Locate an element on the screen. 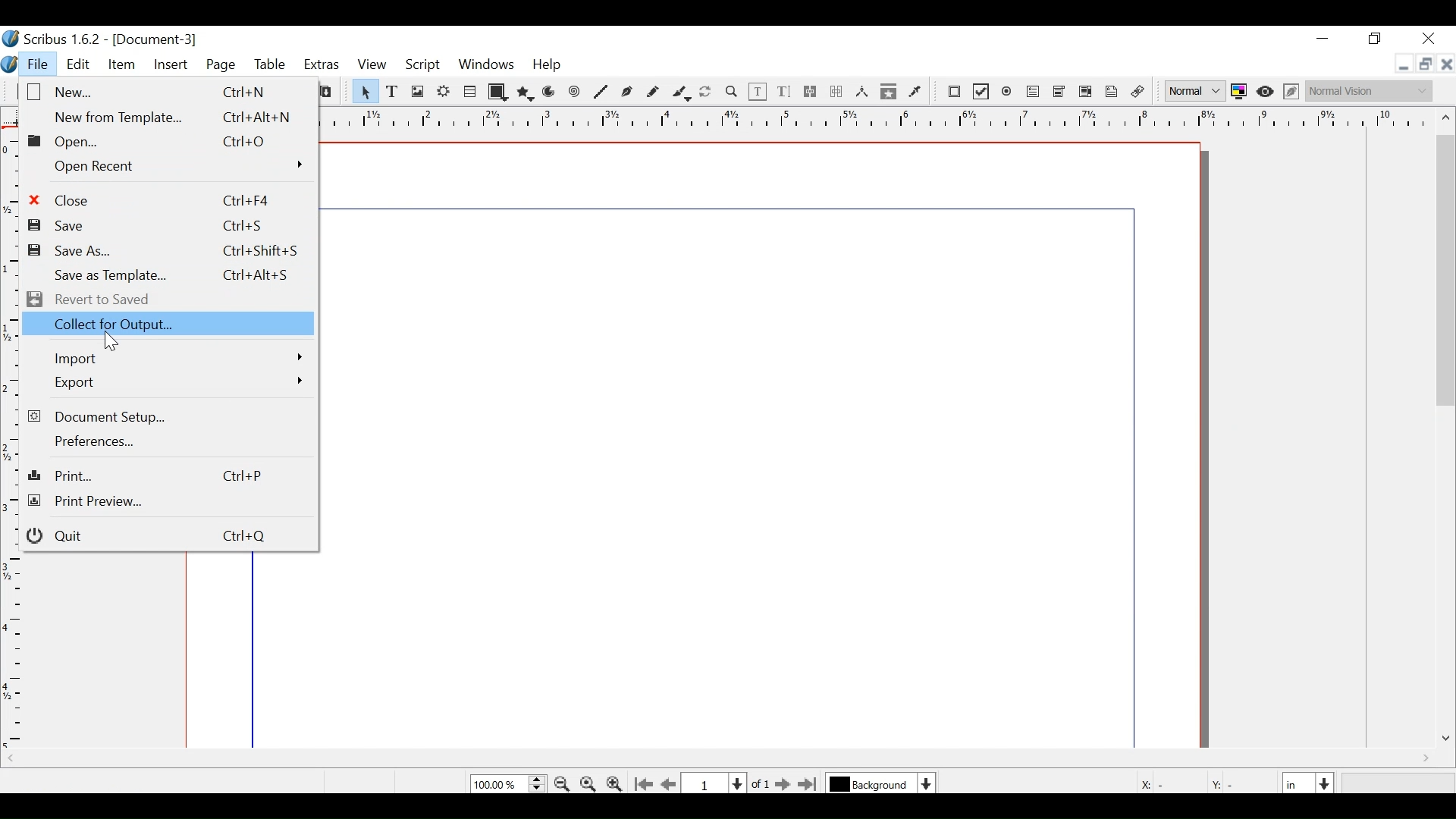 This screenshot has height=819, width=1456. PDF push Editor is located at coordinates (954, 93).